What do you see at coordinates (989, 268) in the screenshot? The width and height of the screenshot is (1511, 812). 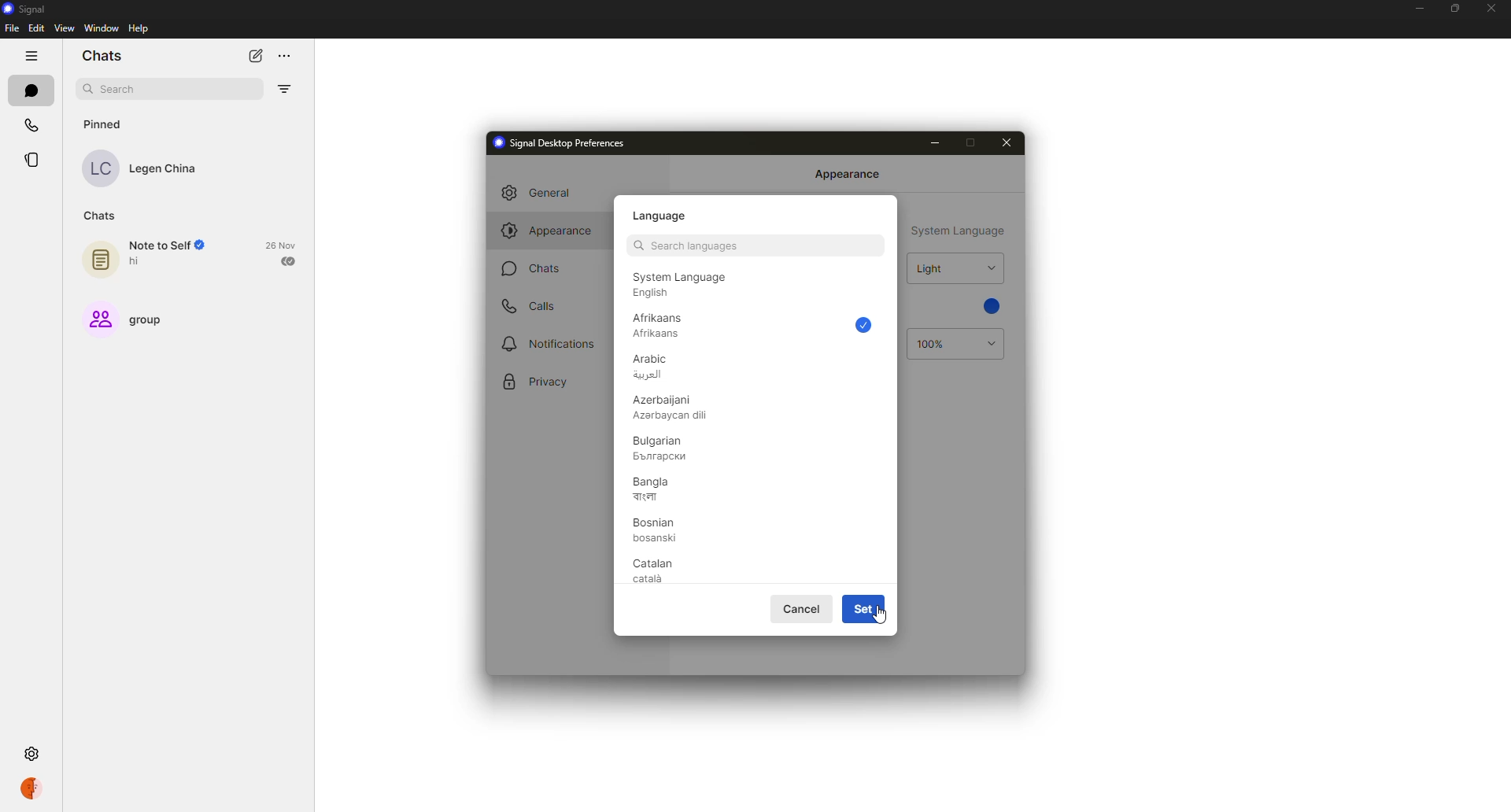 I see `drop` at bounding box center [989, 268].